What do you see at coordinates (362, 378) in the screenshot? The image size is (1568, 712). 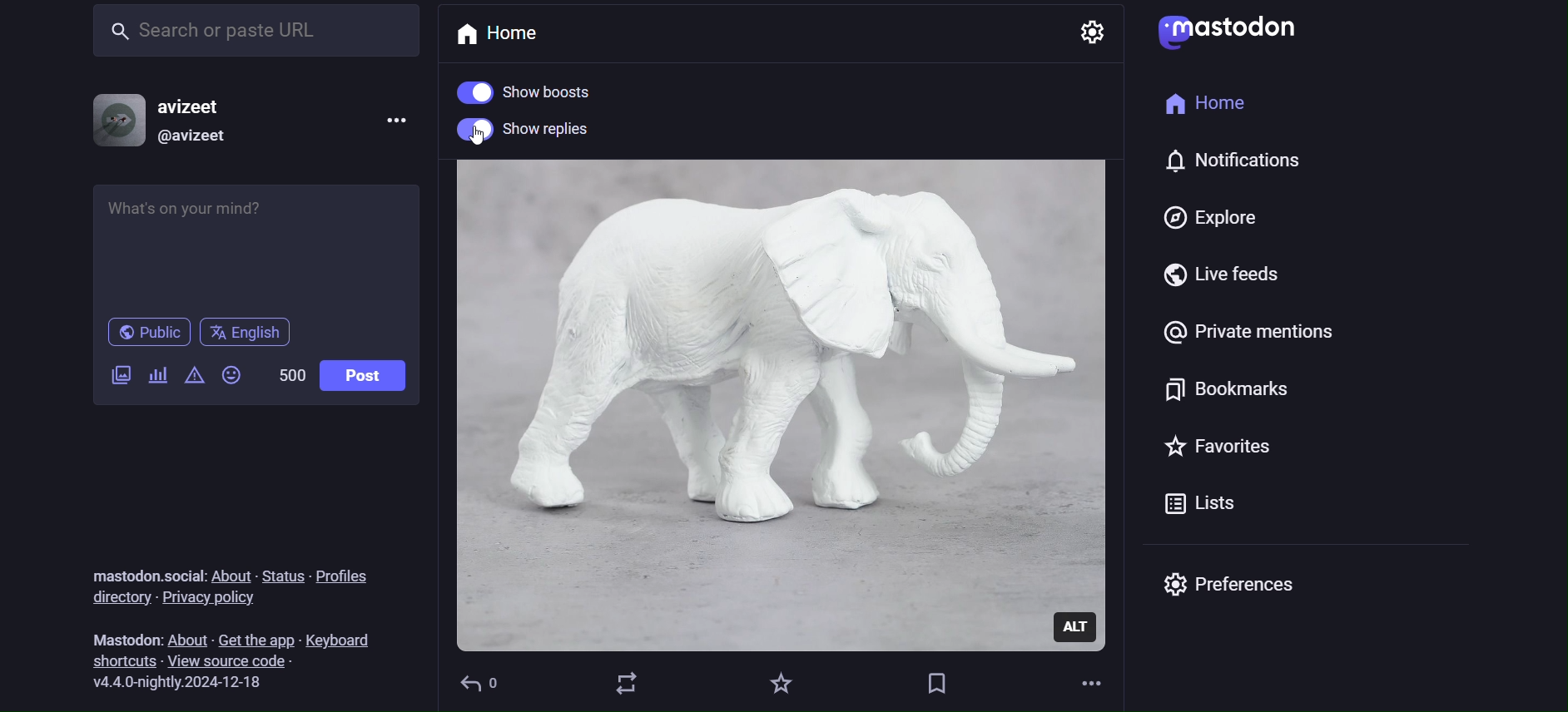 I see `post` at bounding box center [362, 378].